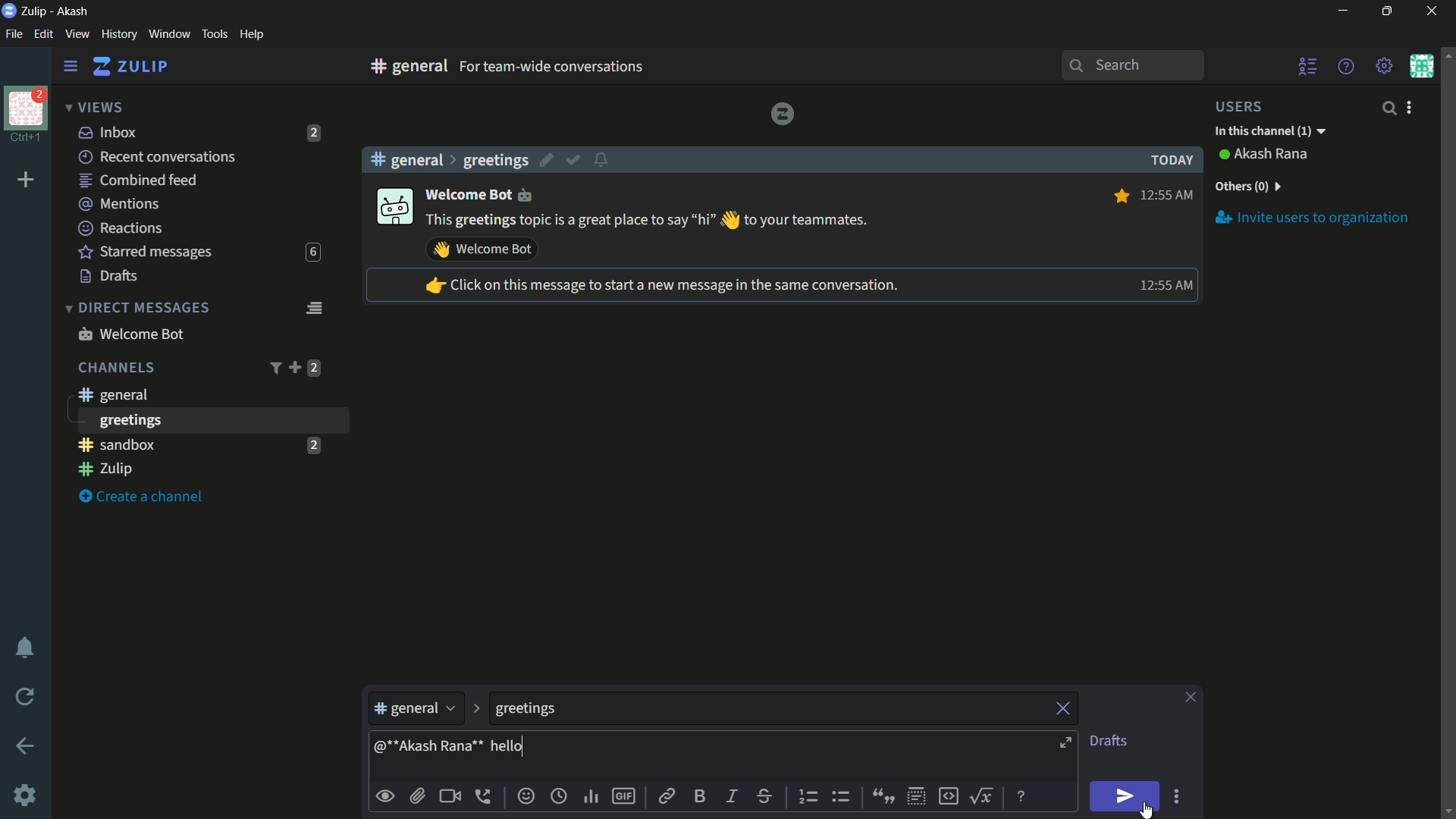 The image size is (1456, 819). I want to click on starred messages, so click(146, 253).